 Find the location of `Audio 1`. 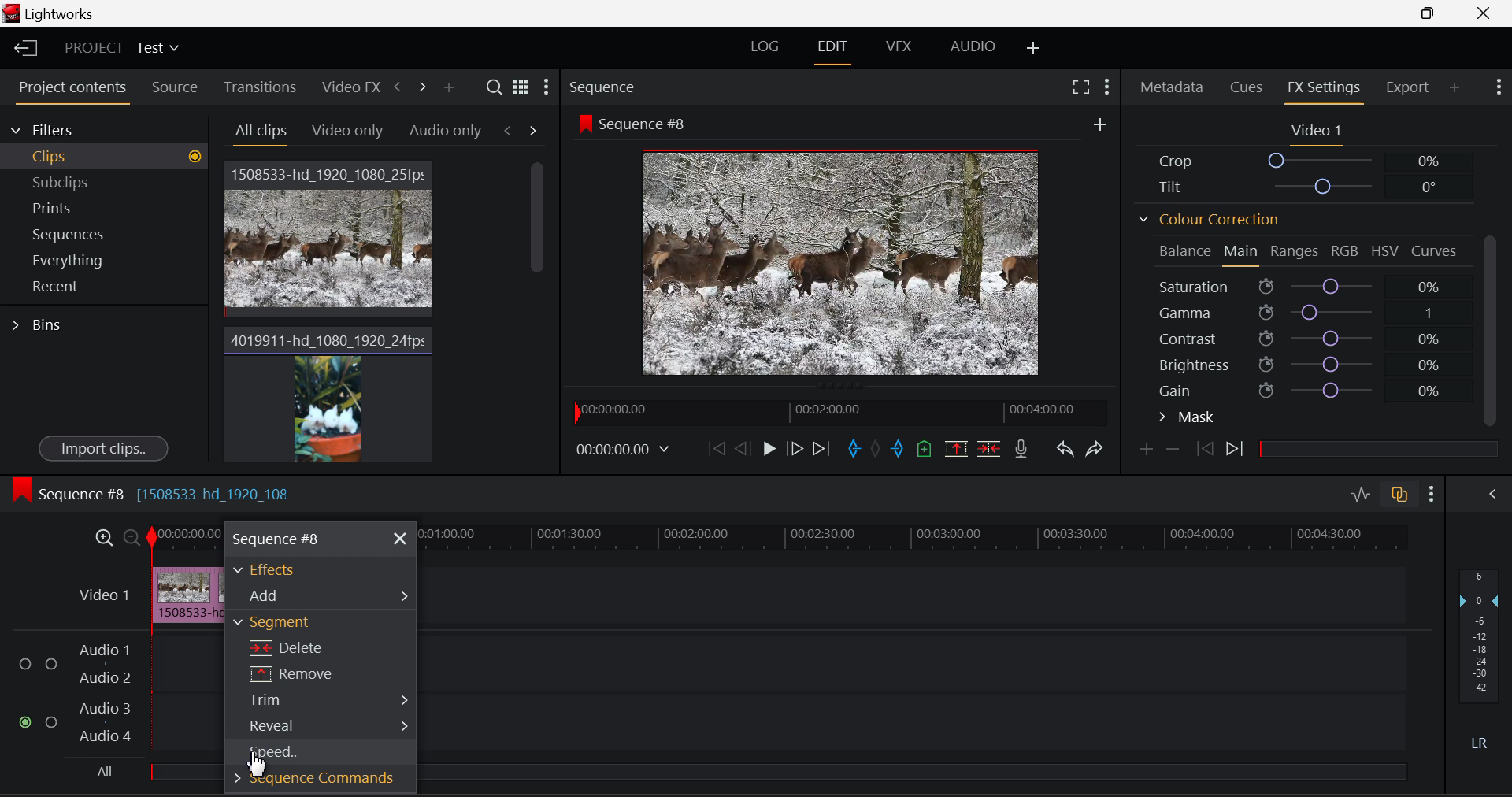

Audio 1 is located at coordinates (107, 648).